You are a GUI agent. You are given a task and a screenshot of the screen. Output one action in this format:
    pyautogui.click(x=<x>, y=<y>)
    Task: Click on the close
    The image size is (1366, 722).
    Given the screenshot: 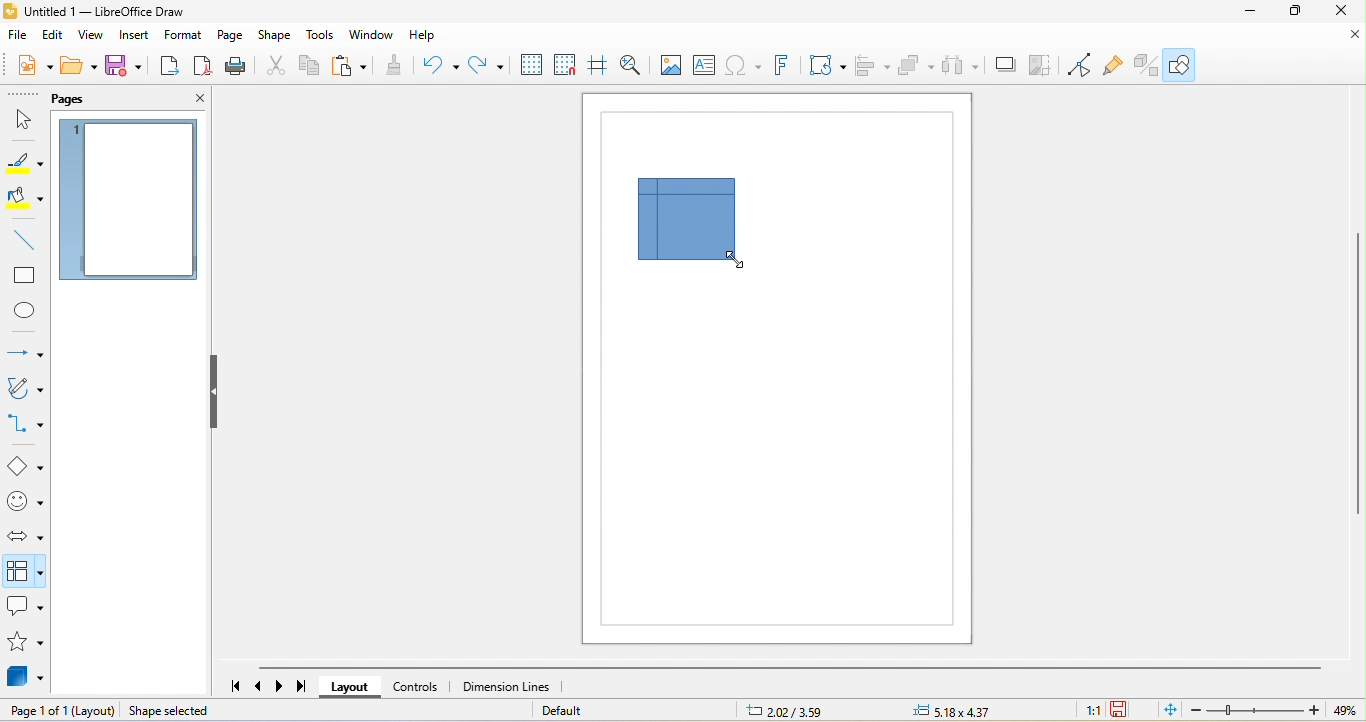 What is the action you would take?
    pyautogui.click(x=1343, y=15)
    